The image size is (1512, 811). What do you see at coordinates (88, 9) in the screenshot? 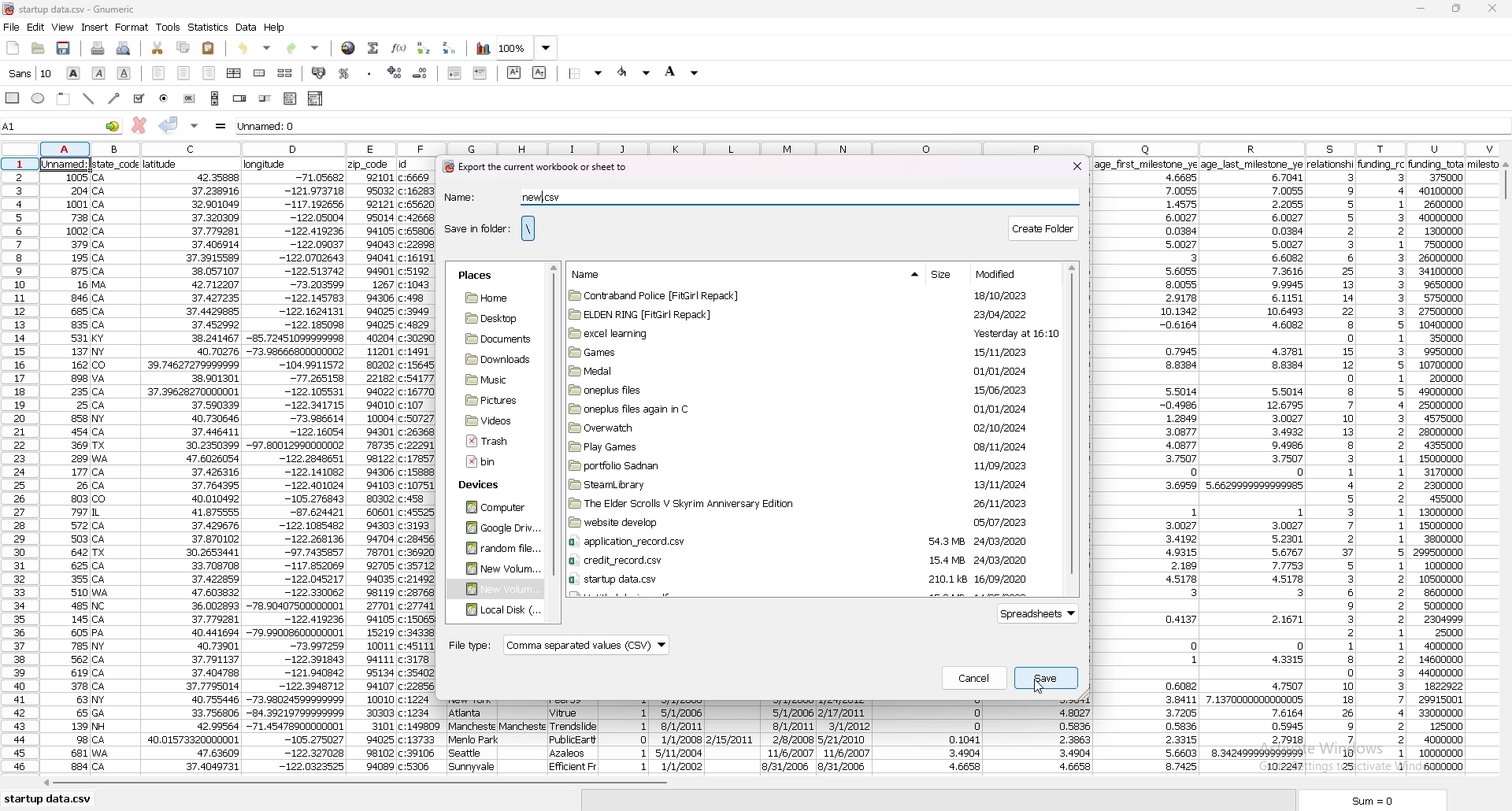
I see `file name` at bounding box center [88, 9].